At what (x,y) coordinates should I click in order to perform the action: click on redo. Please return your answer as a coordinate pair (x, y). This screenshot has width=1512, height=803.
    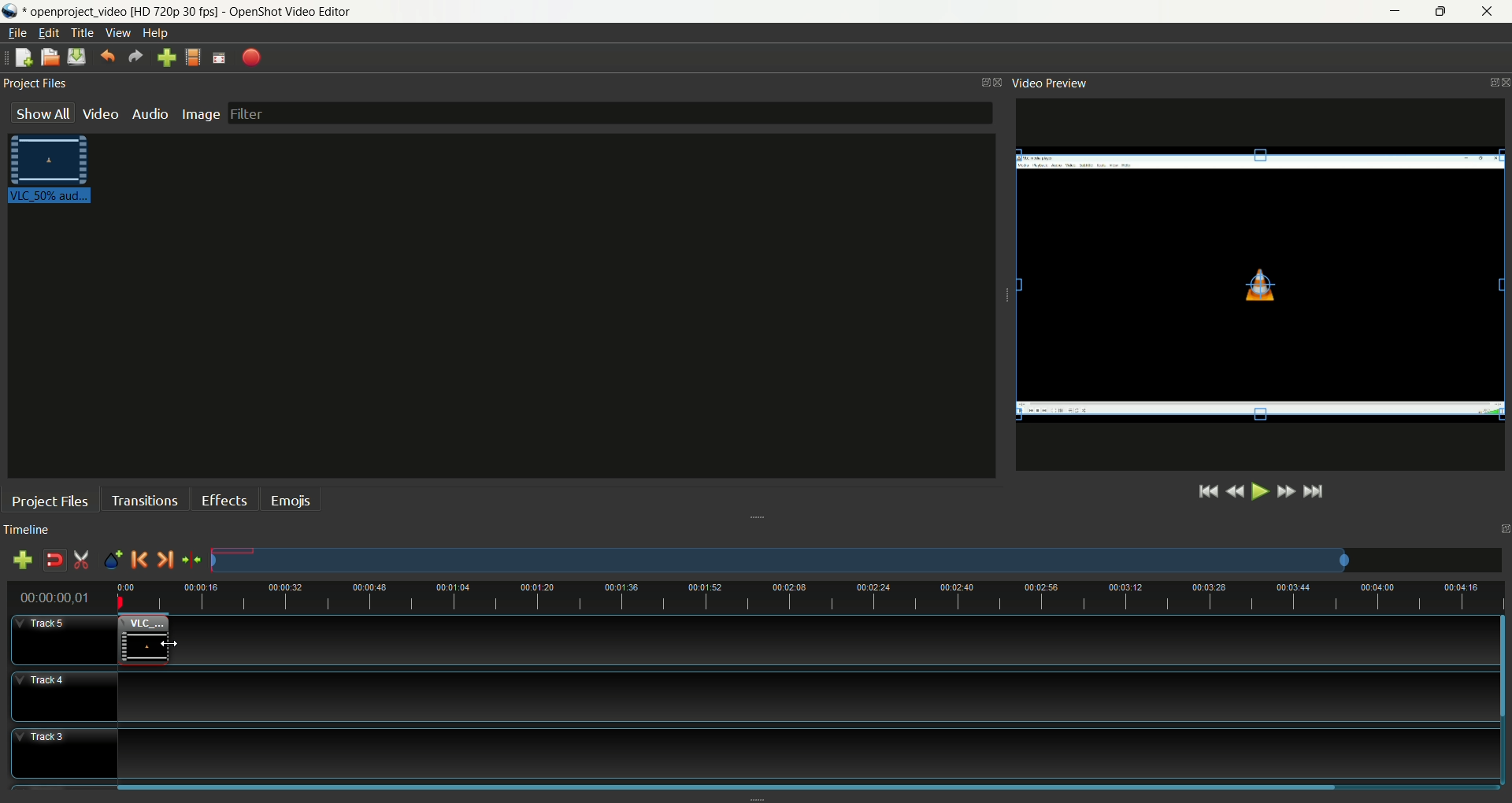
    Looking at the image, I should click on (133, 57).